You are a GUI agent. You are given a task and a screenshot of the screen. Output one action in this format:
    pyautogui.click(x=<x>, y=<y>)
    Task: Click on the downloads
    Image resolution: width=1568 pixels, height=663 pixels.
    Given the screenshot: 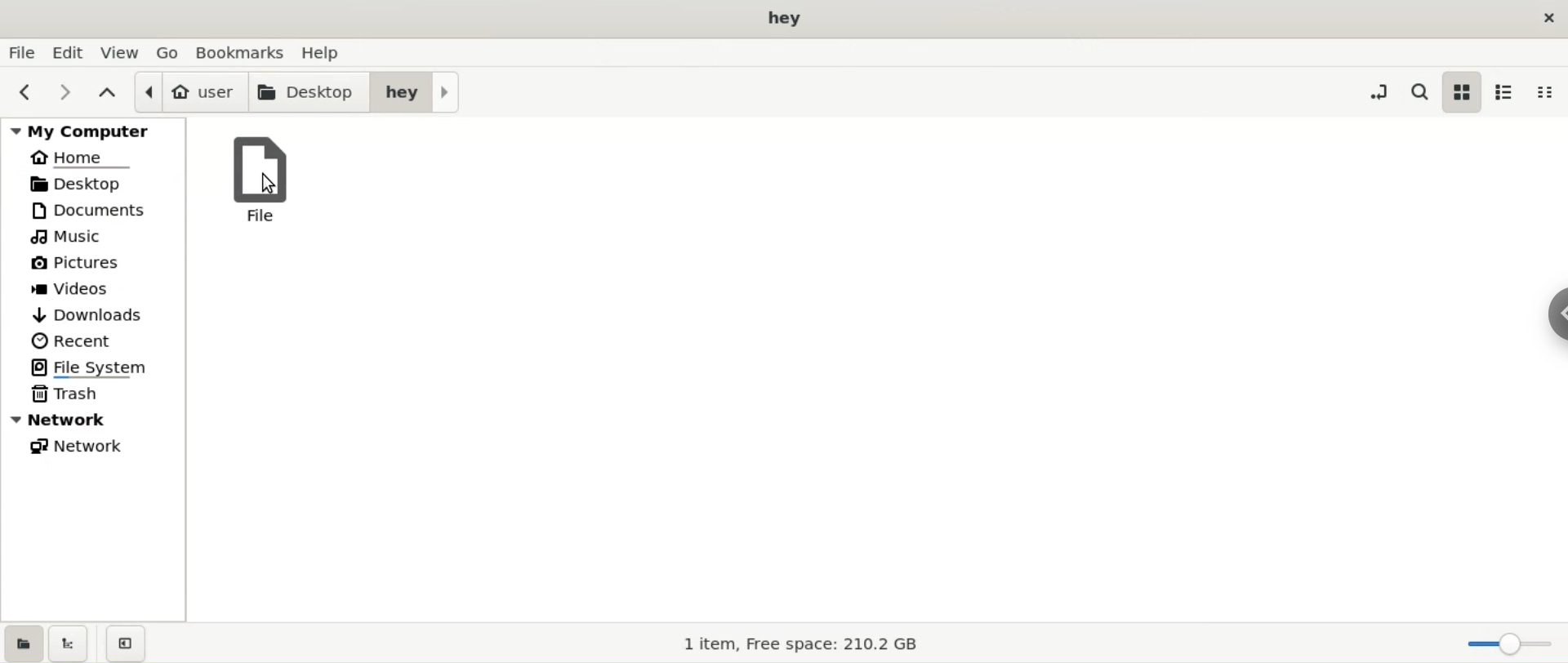 What is the action you would take?
    pyautogui.click(x=96, y=315)
    